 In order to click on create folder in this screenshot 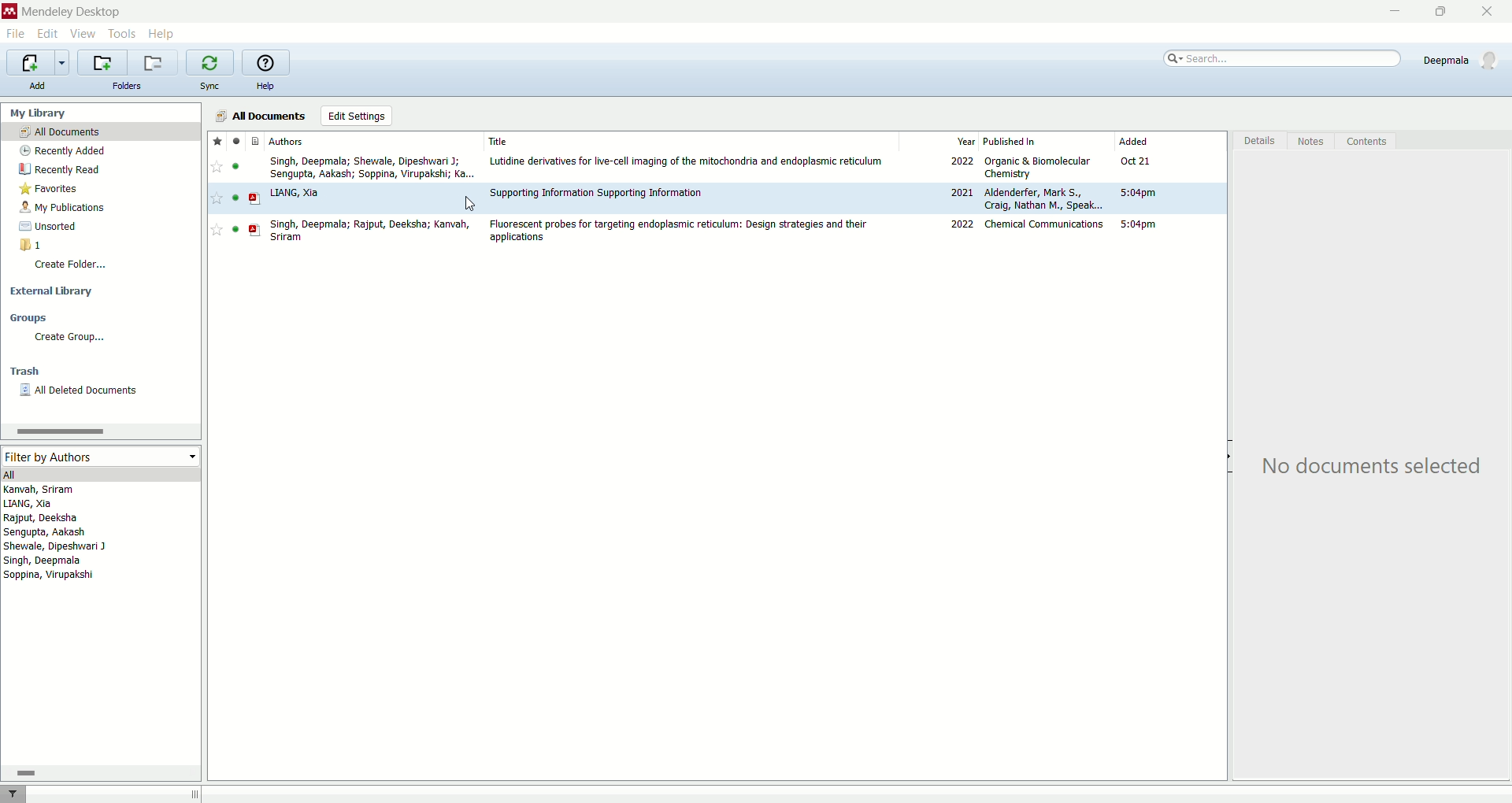, I will do `click(73, 268)`.